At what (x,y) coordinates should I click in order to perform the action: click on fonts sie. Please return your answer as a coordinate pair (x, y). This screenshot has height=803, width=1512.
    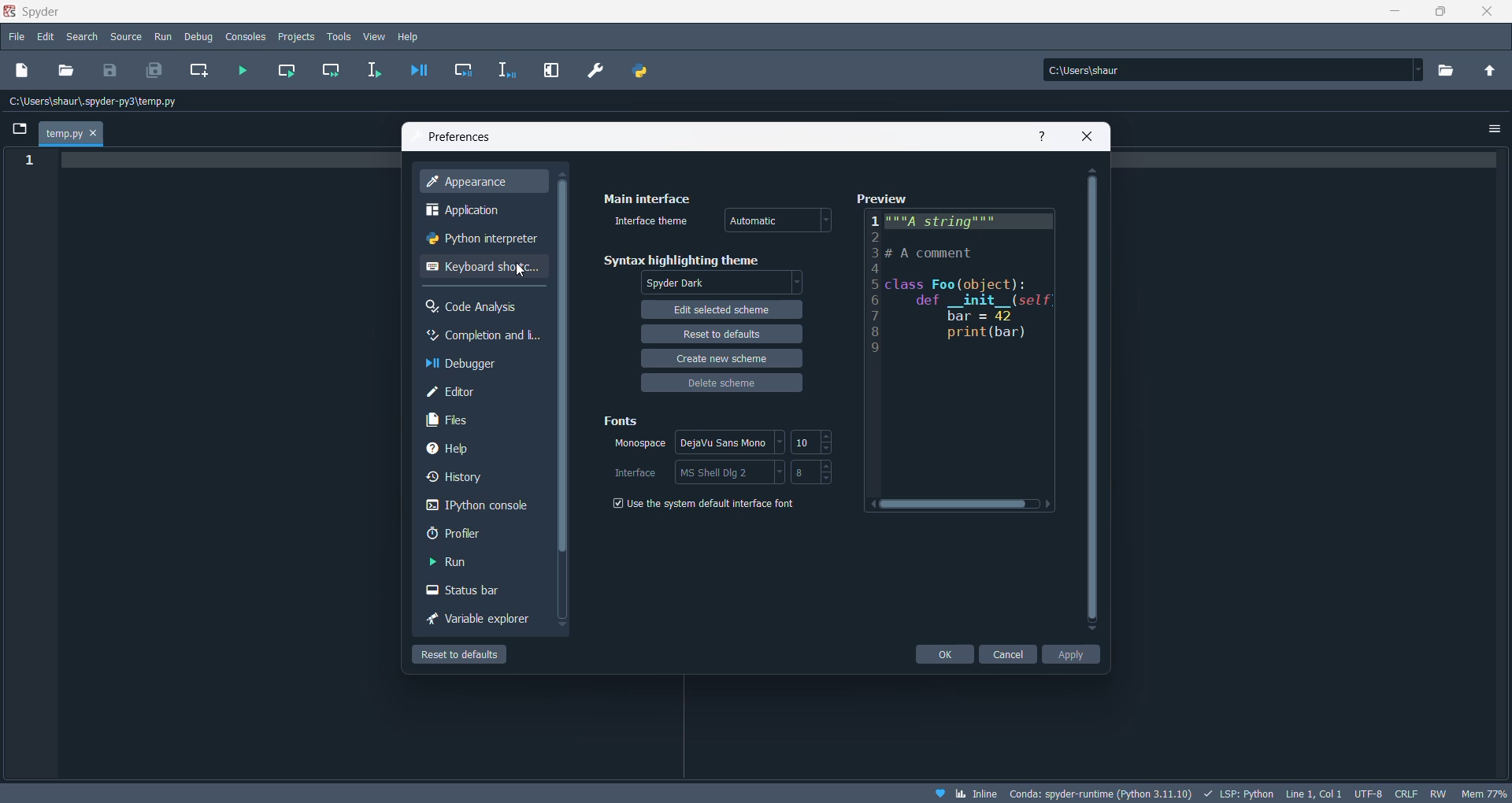
    Looking at the image, I should click on (806, 442).